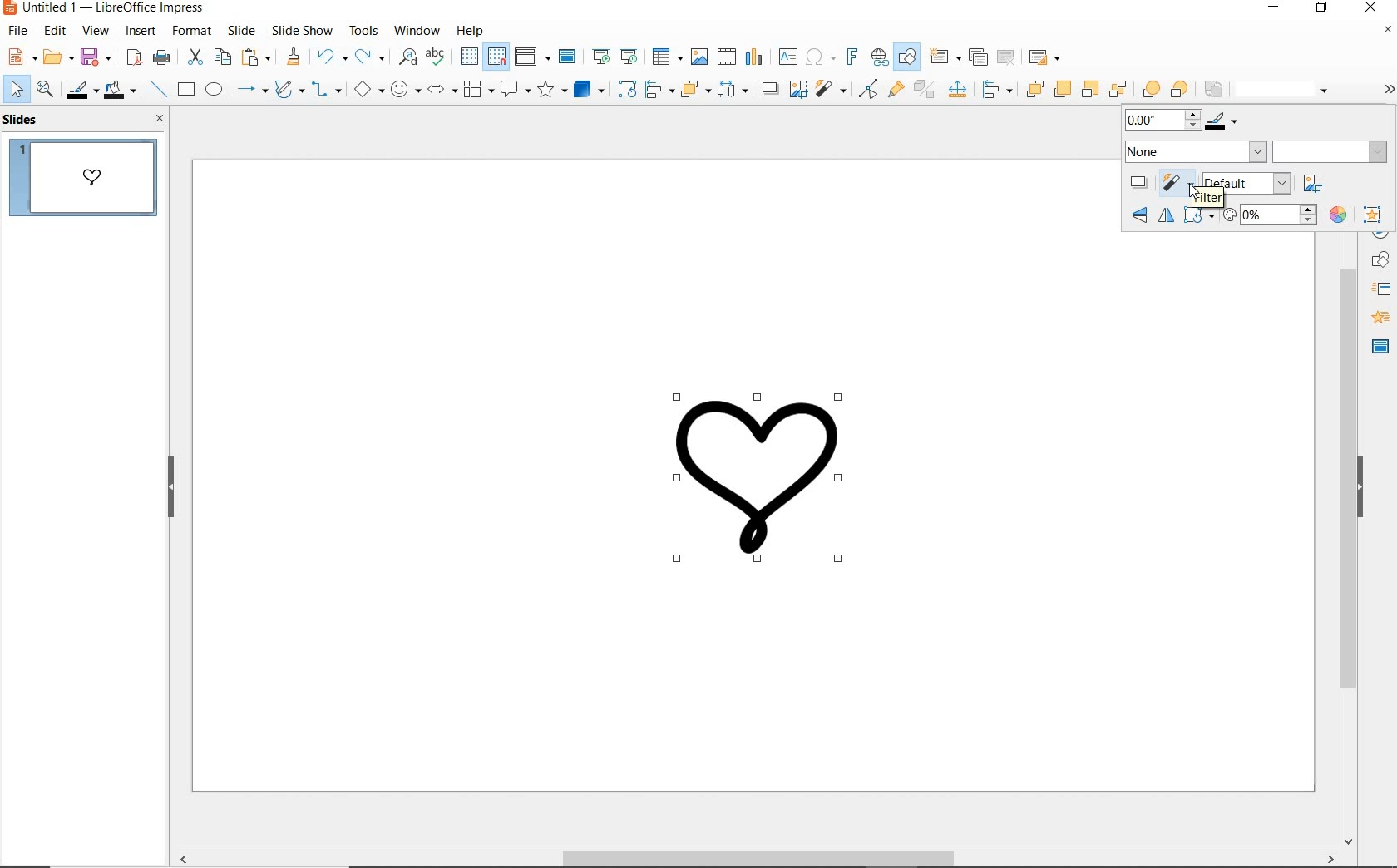 Image resolution: width=1397 pixels, height=868 pixels. Describe the element at coordinates (787, 57) in the screenshot. I see `insert text box` at that location.